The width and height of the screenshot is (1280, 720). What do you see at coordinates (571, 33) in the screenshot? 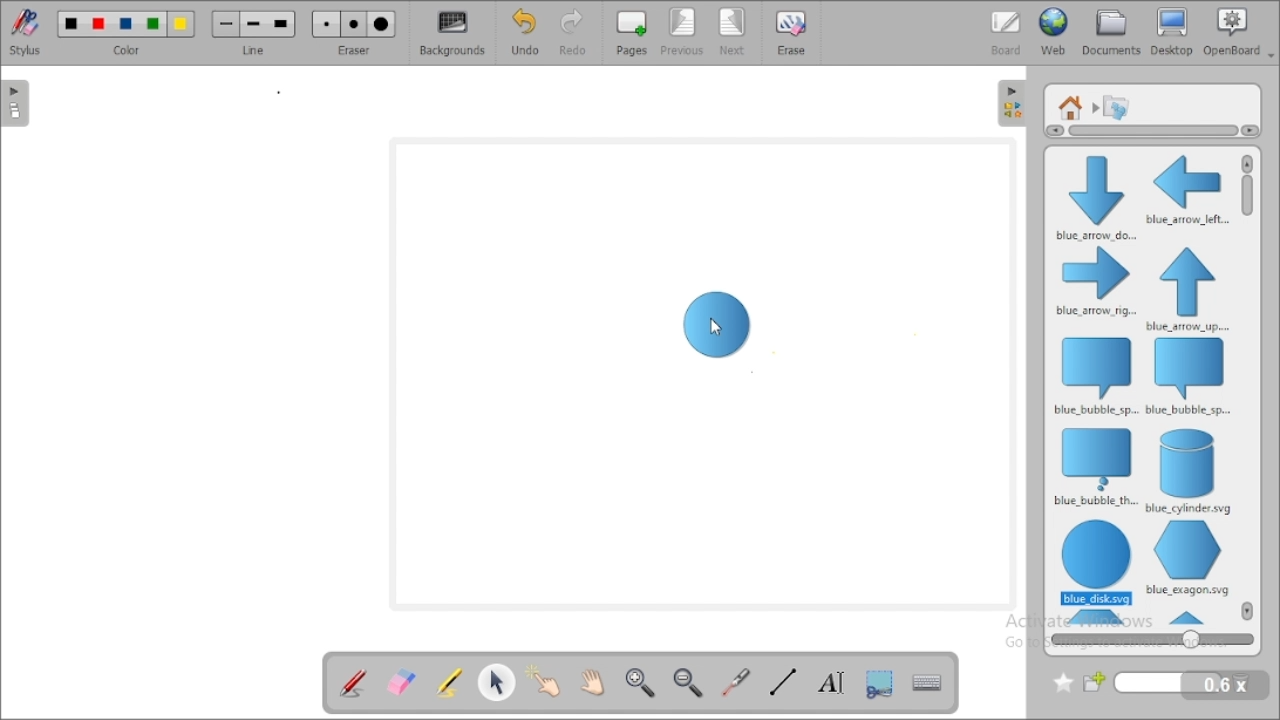
I see `redo` at bounding box center [571, 33].